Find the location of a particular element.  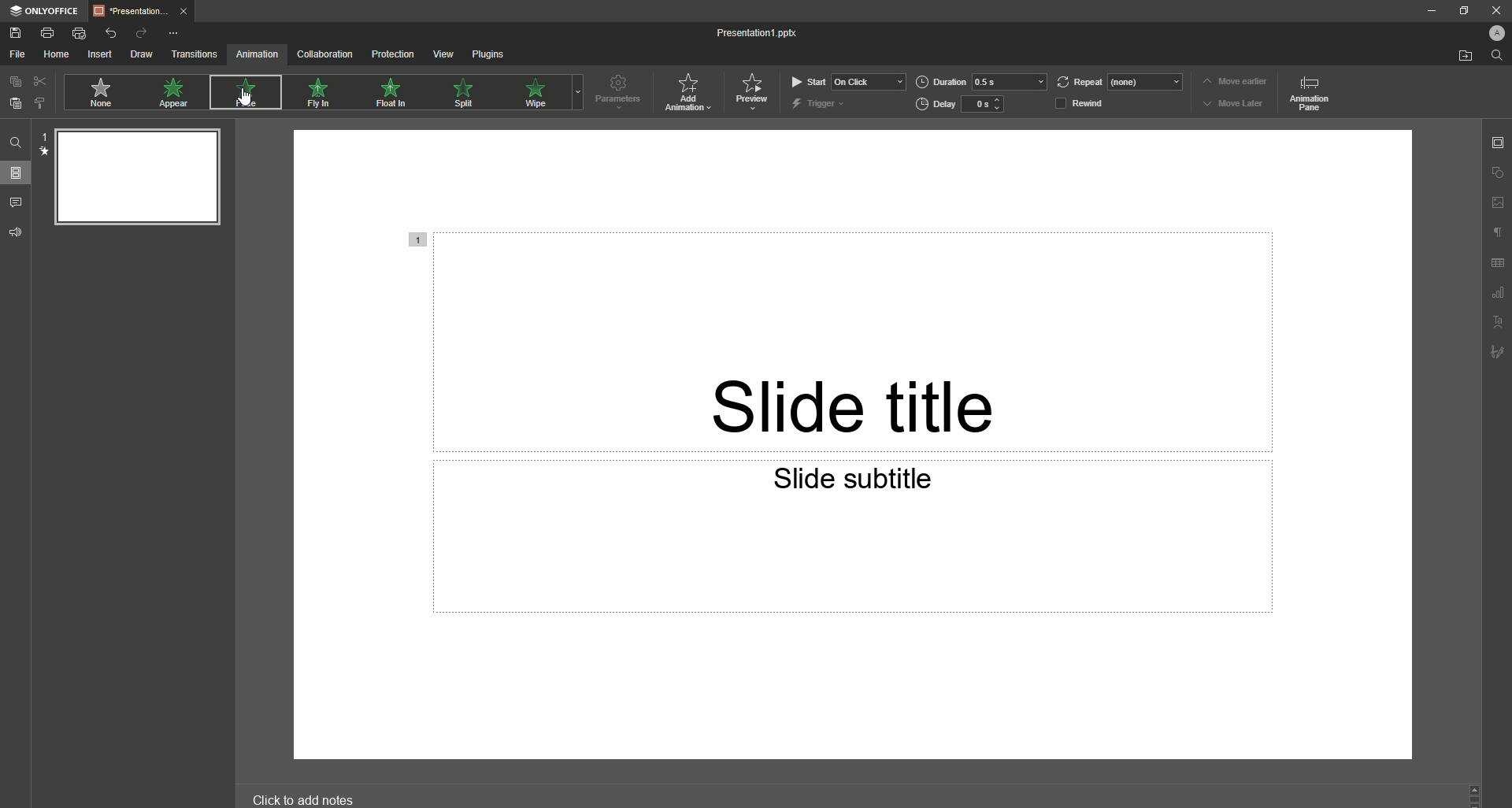

Slide Title is located at coordinates (864, 387).